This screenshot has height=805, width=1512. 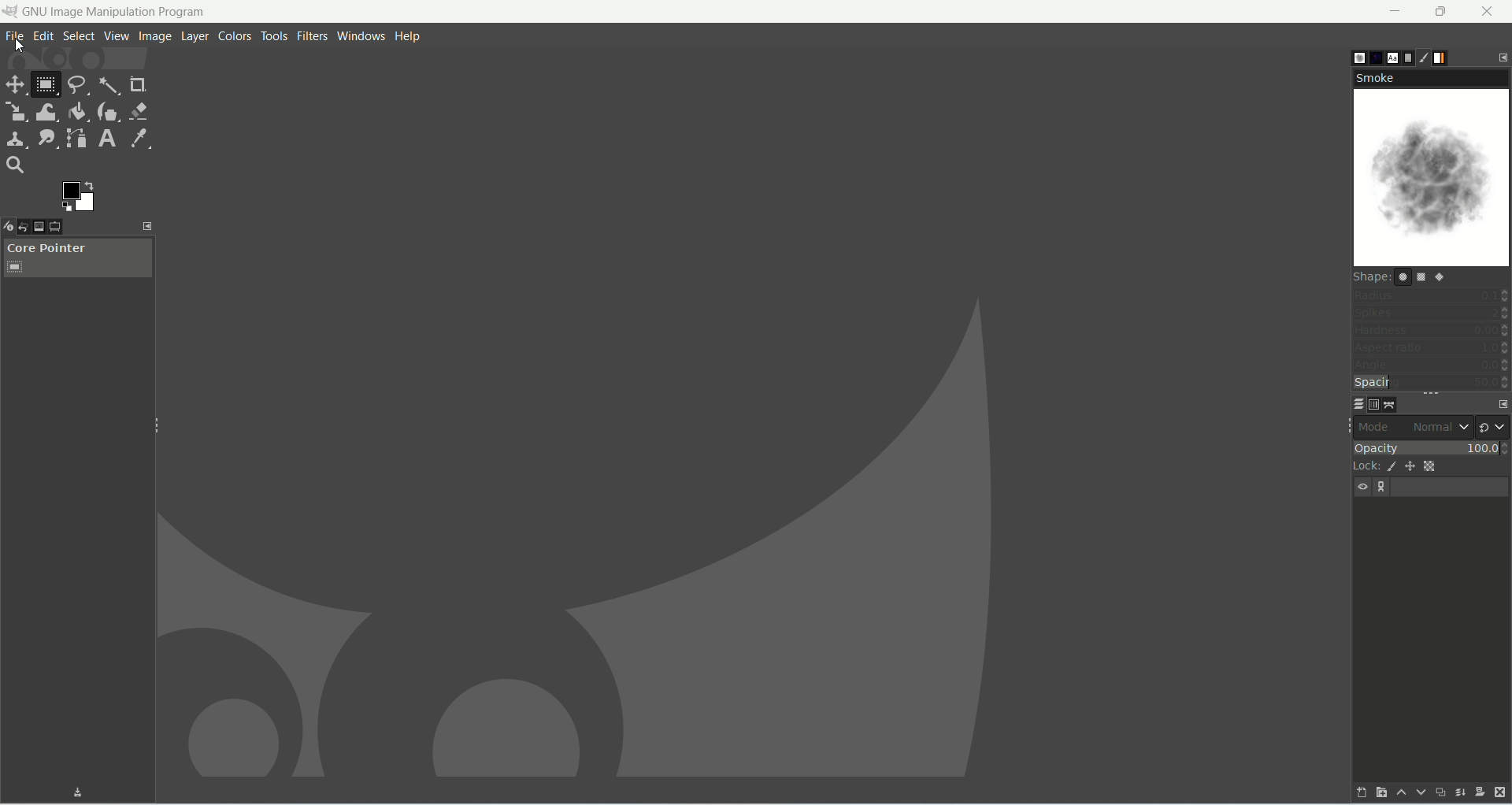 I want to click on smoke, so click(x=1430, y=78).